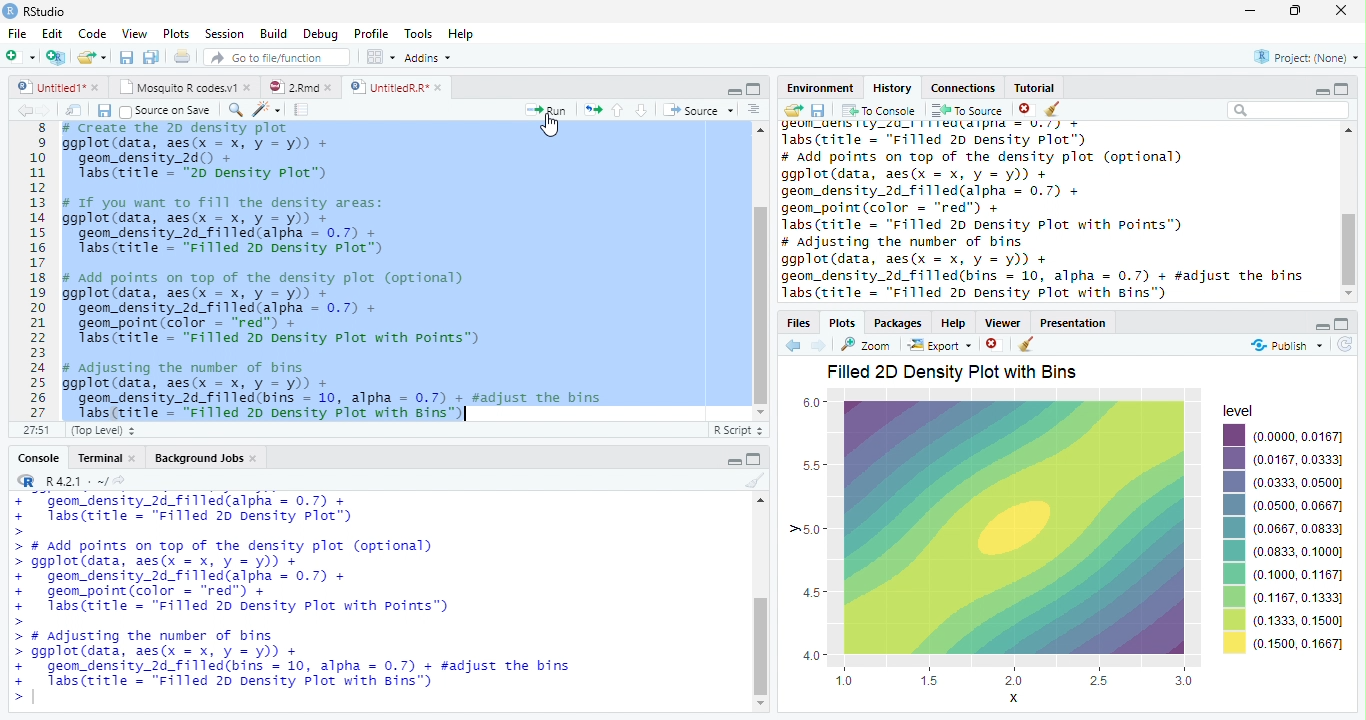 The height and width of the screenshot is (720, 1366). What do you see at coordinates (94, 35) in the screenshot?
I see `Code` at bounding box center [94, 35].